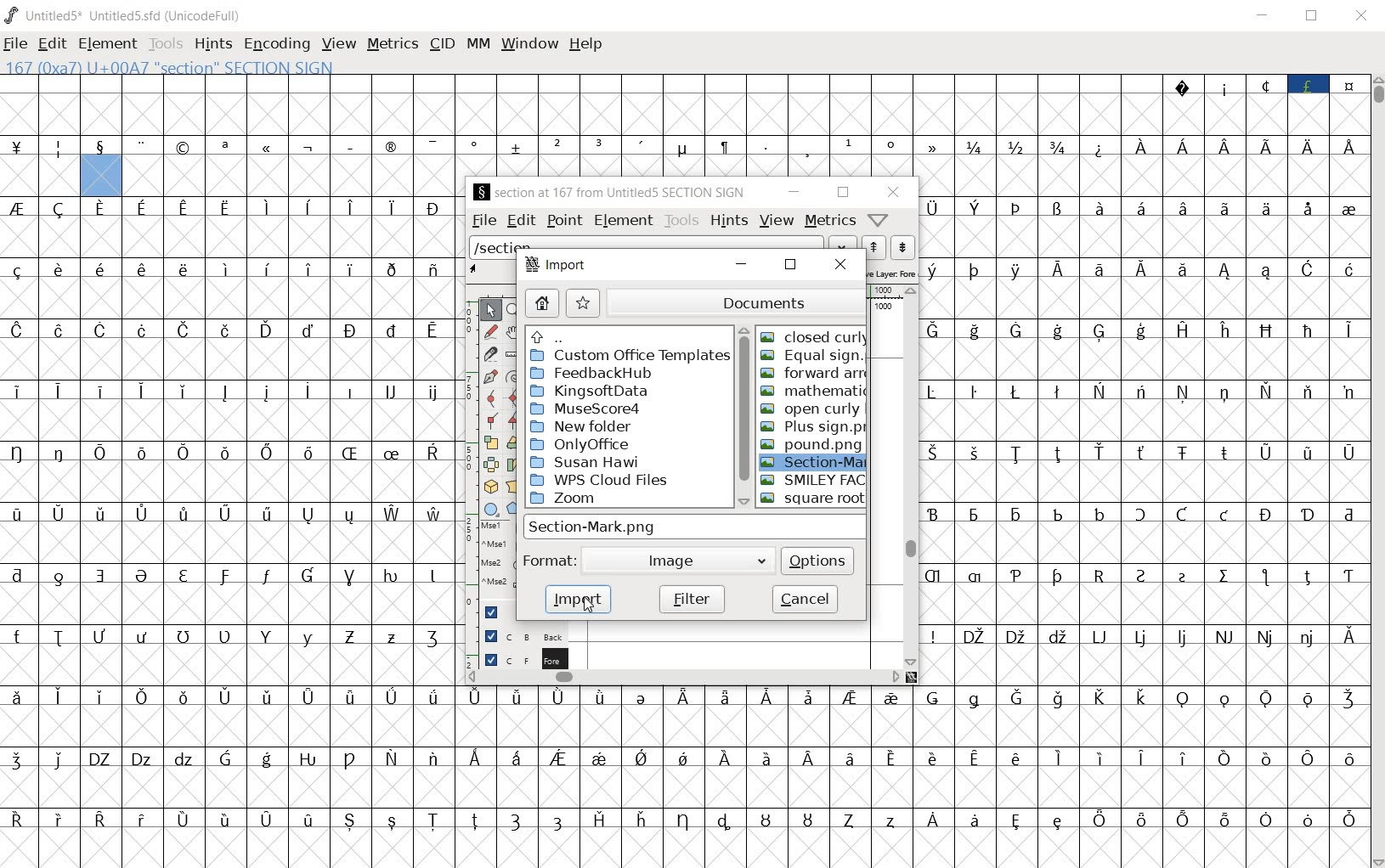 The height and width of the screenshot is (868, 1385). Describe the element at coordinates (212, 45) in the screenshot. I see `HINTS` at that location.